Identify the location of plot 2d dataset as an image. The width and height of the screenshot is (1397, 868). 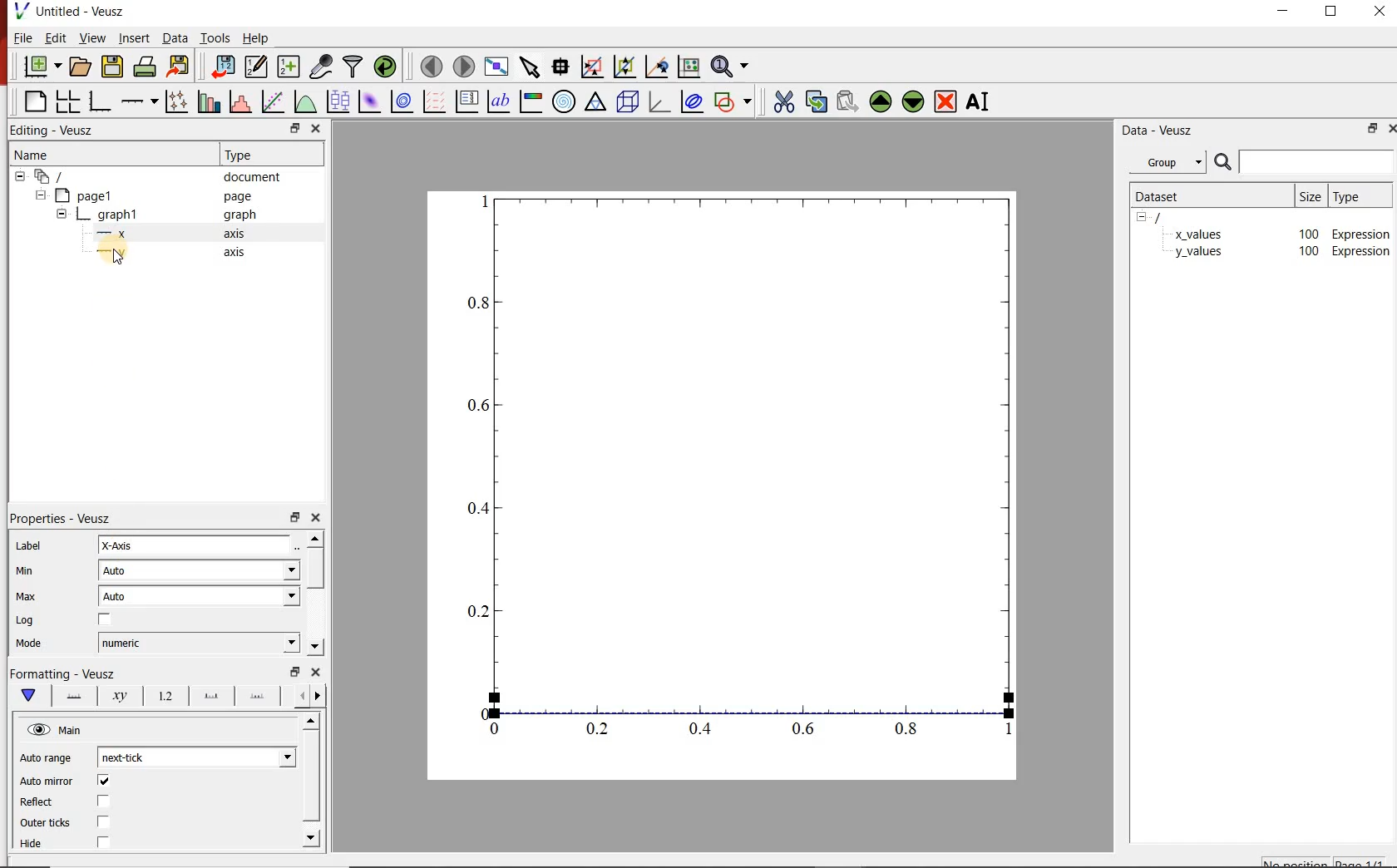
(369, 101).